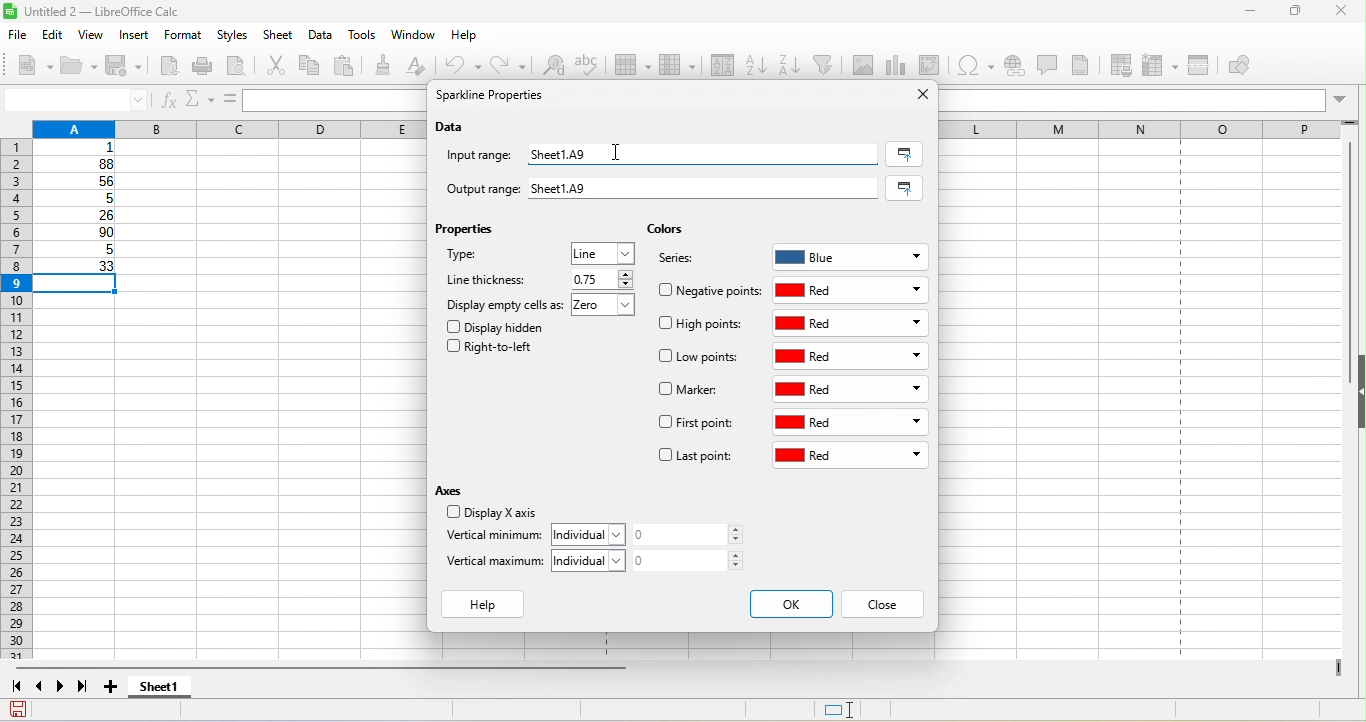 The image size is (1366, 722). Describe the element at coordinates (136, 36) in the screenshot. I see `insert` at that location.